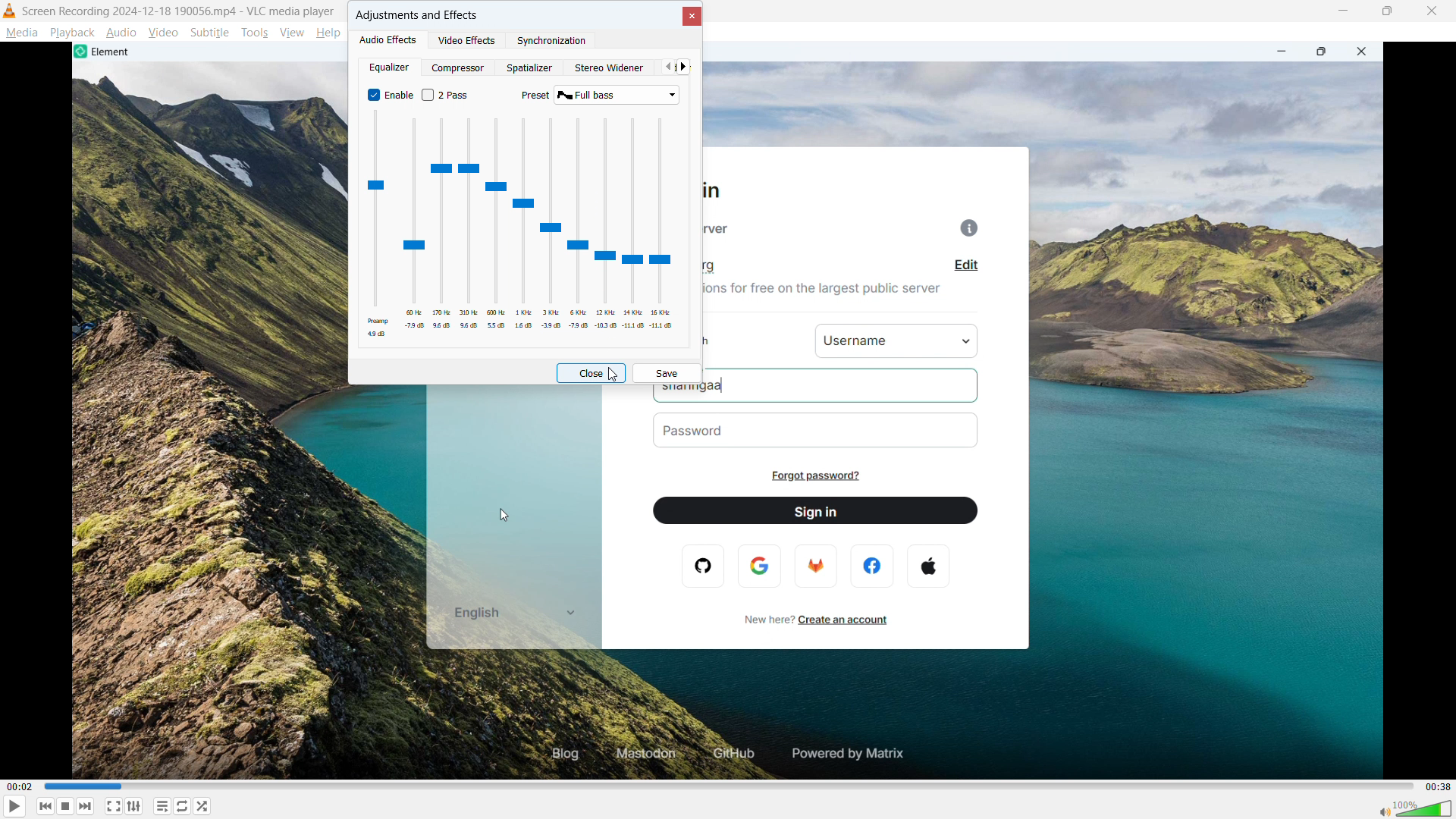  What do you see at coordinates (443, 225) in the screenshot?
I see `Adjust 170 Hertz` at bounding box center [443, 225].